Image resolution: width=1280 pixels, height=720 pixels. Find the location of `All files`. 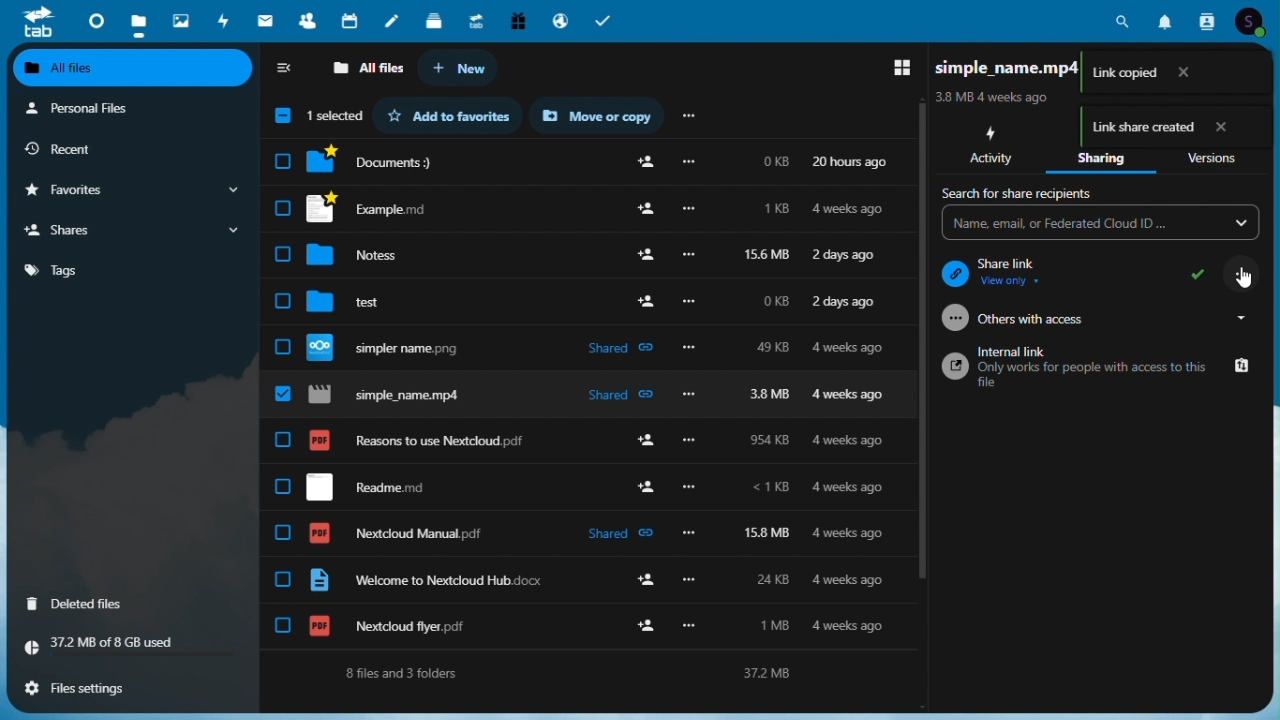

All files is located at coordinates (135, 68).